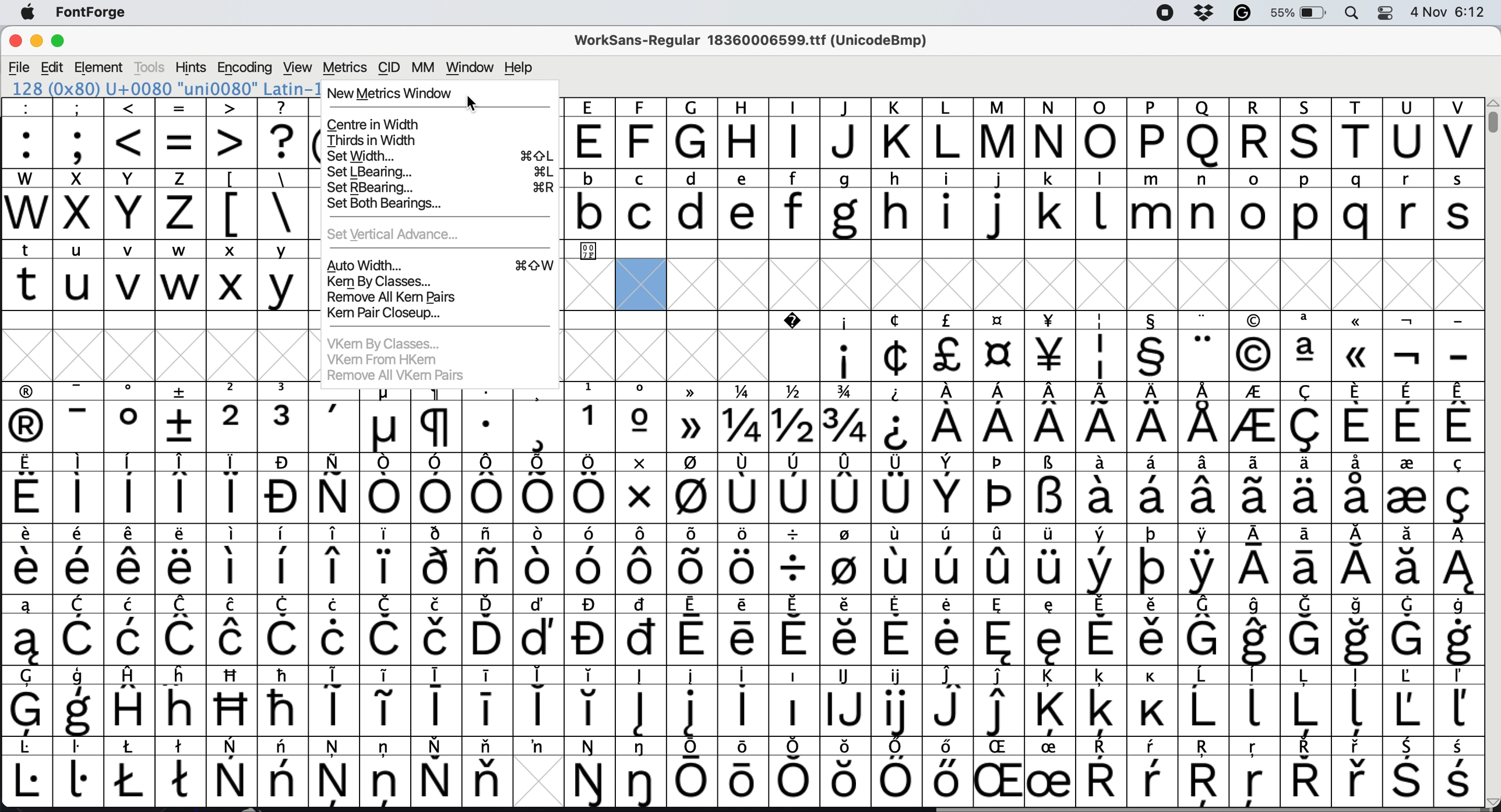 The width and height of the screenshot is (1501, 812). Describe the element at coordinates (391, 93) in the screenshot. I see `new metrics window` at that location.